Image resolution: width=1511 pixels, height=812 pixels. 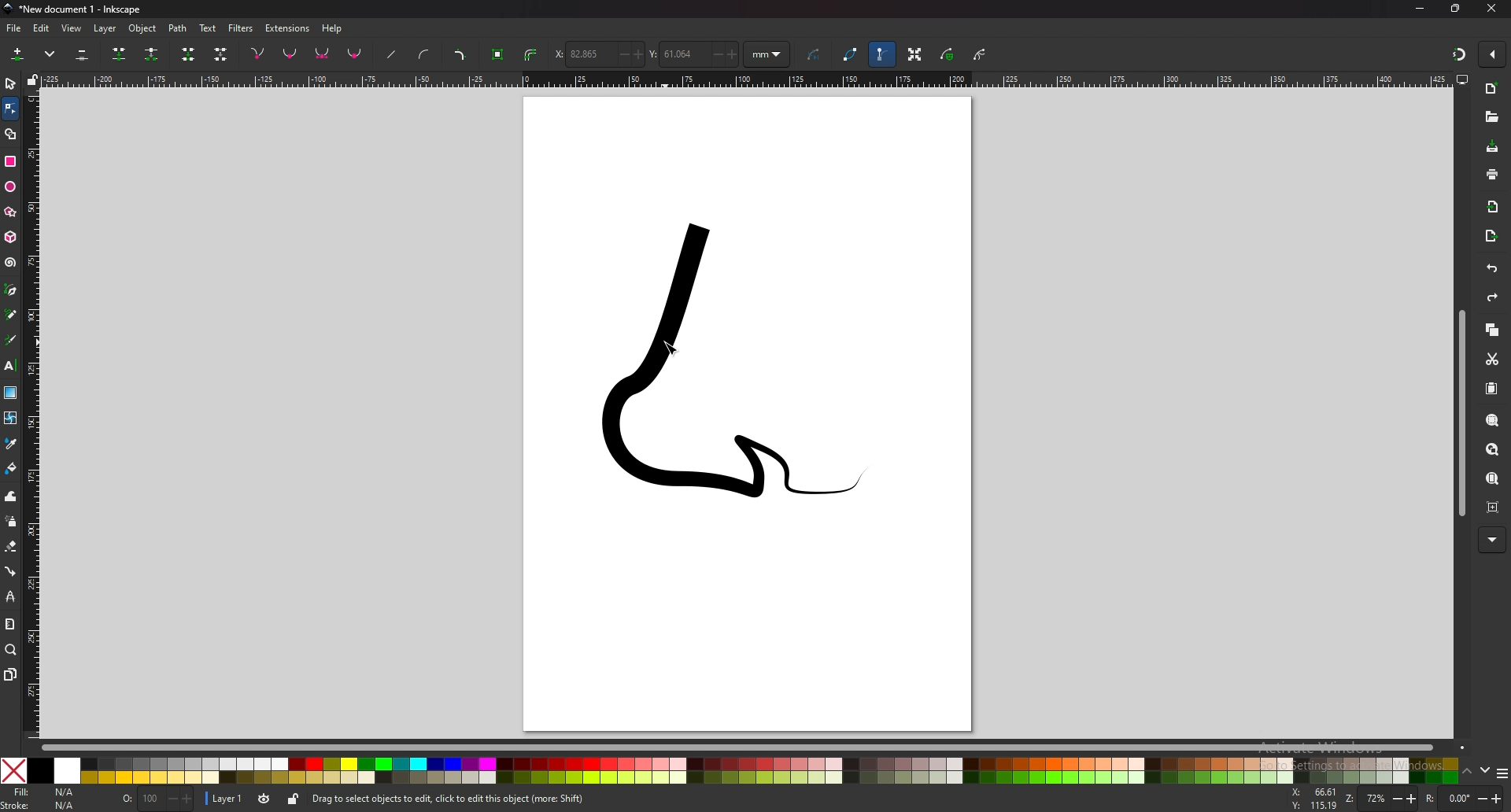 I want to click on show bezier handle, so click(x=881, y=54).